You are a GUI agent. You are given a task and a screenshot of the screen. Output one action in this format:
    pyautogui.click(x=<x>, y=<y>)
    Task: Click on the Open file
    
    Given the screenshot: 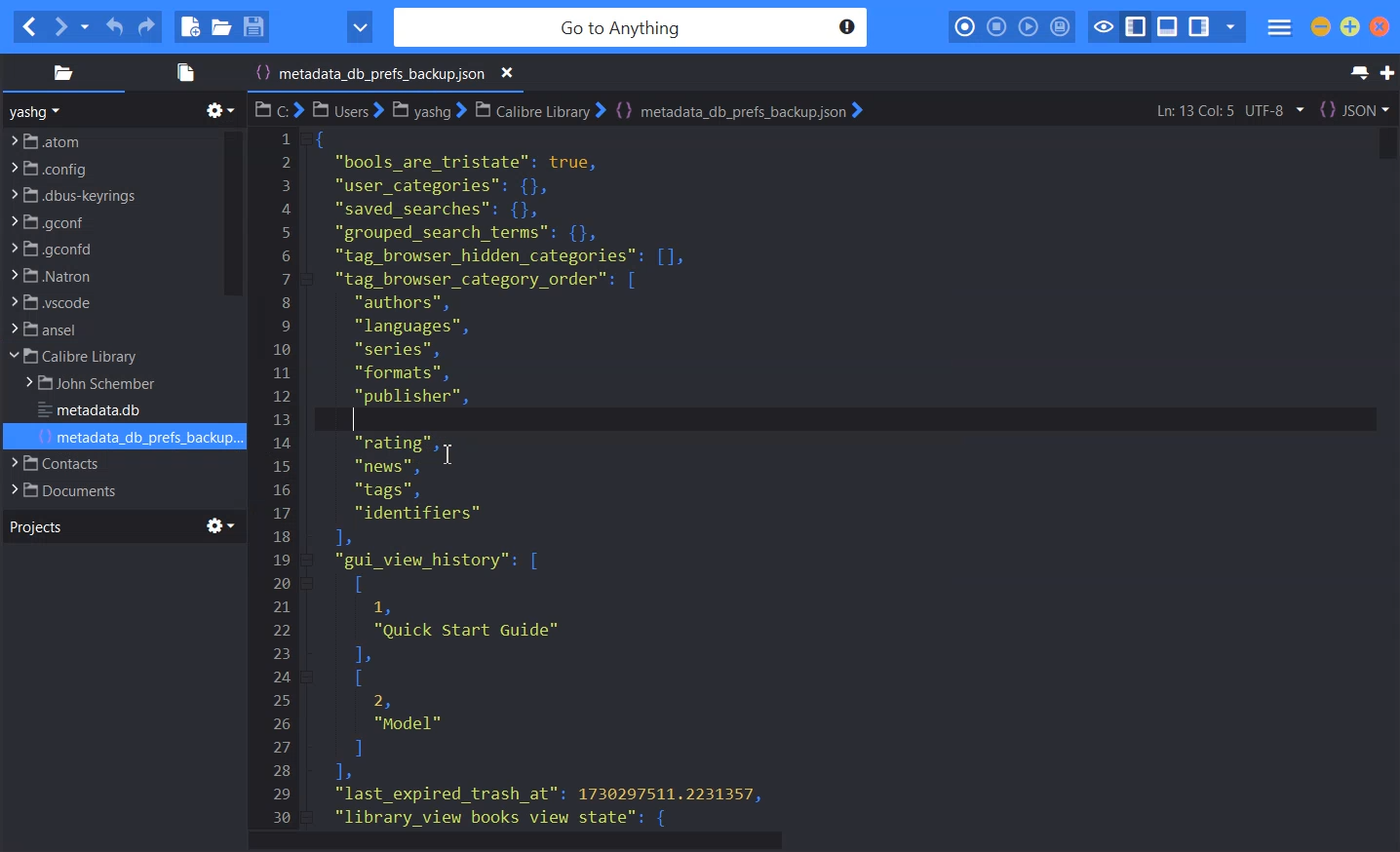 What is the action you would take?
    pyautogui.click(x=221, y=26)
    